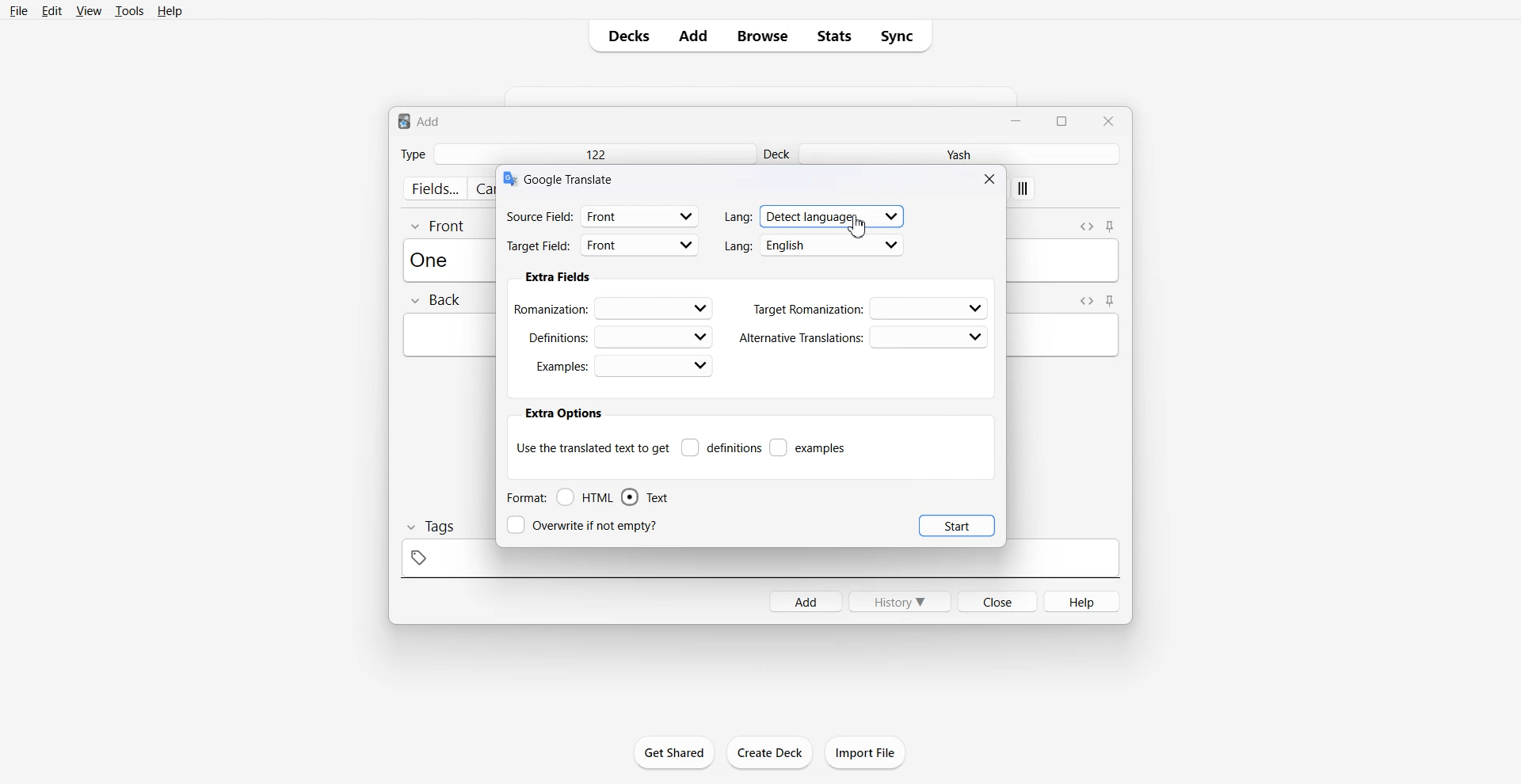 This screenshot has width=1521, height=784. What do you see at coordinates (1024, 190) in the screenshot?
I see `apply custom style` at bounding box center [1024, 190].